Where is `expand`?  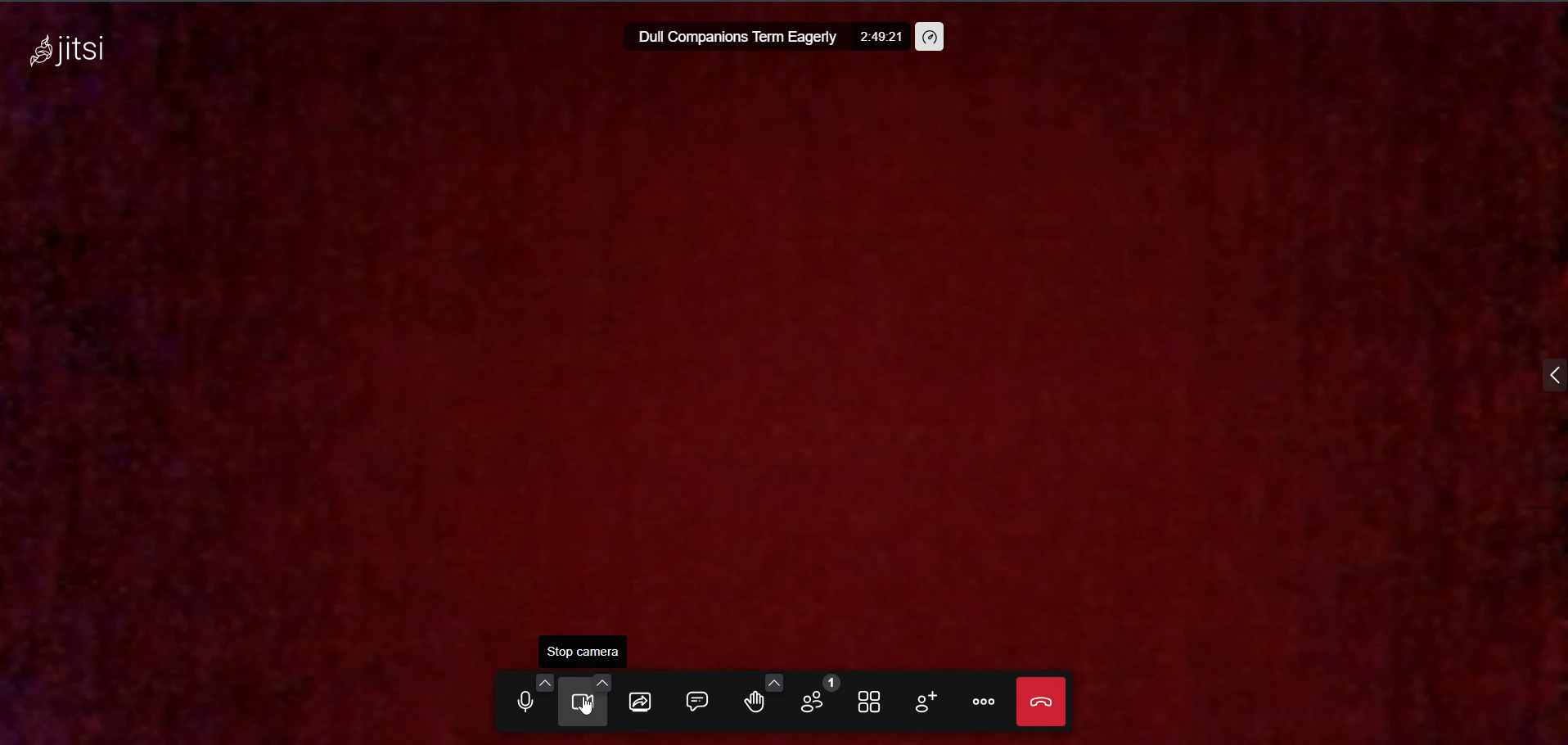
expand is located at coordinates (1543, 374).